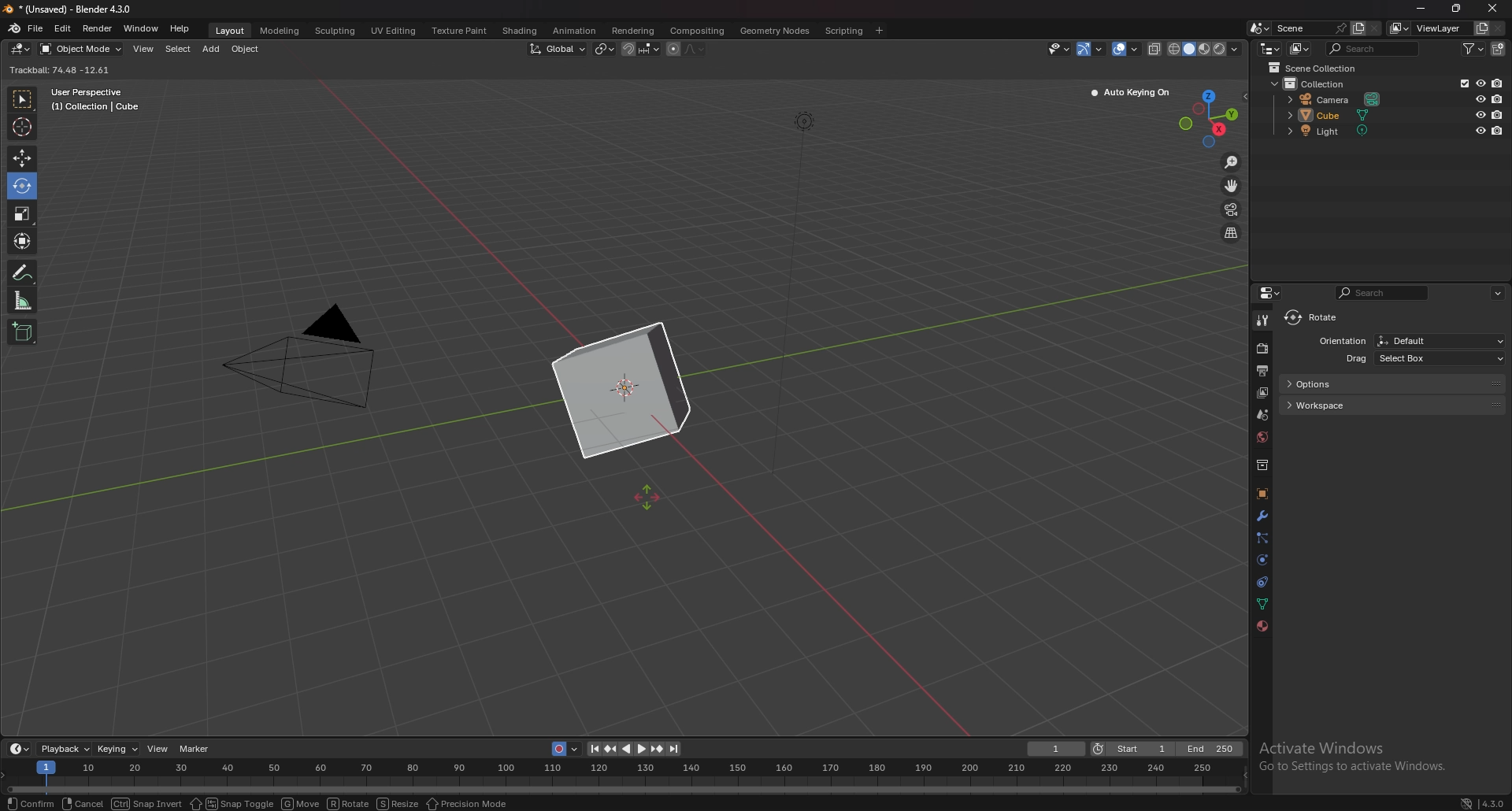 This screenshot has height=811, width=1512. Describe the element at coordinates (1232, 185) in the screenshot. I see `move` at that location.